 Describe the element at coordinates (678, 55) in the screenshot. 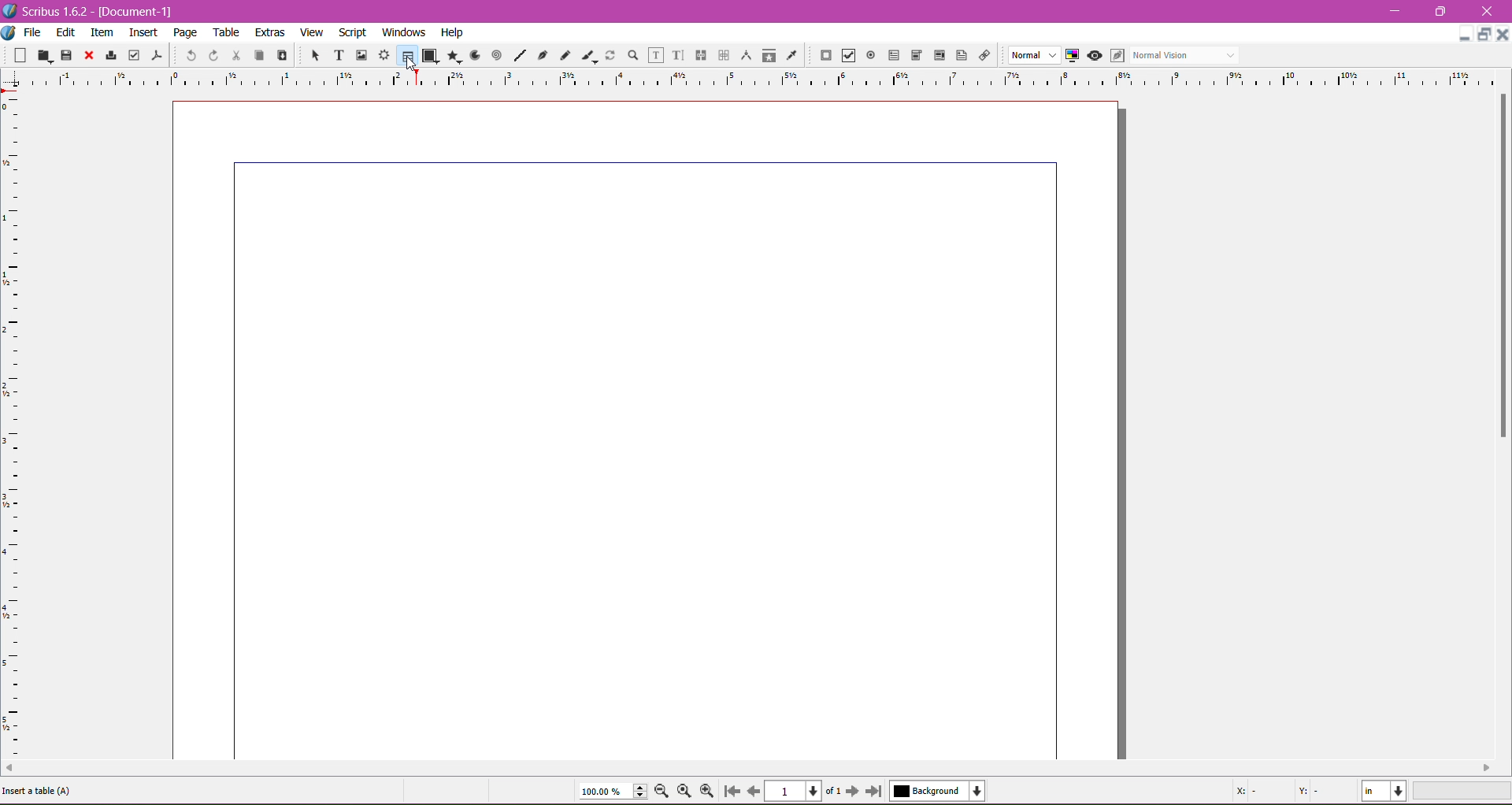

I see `Edit Text with Story` at that location.